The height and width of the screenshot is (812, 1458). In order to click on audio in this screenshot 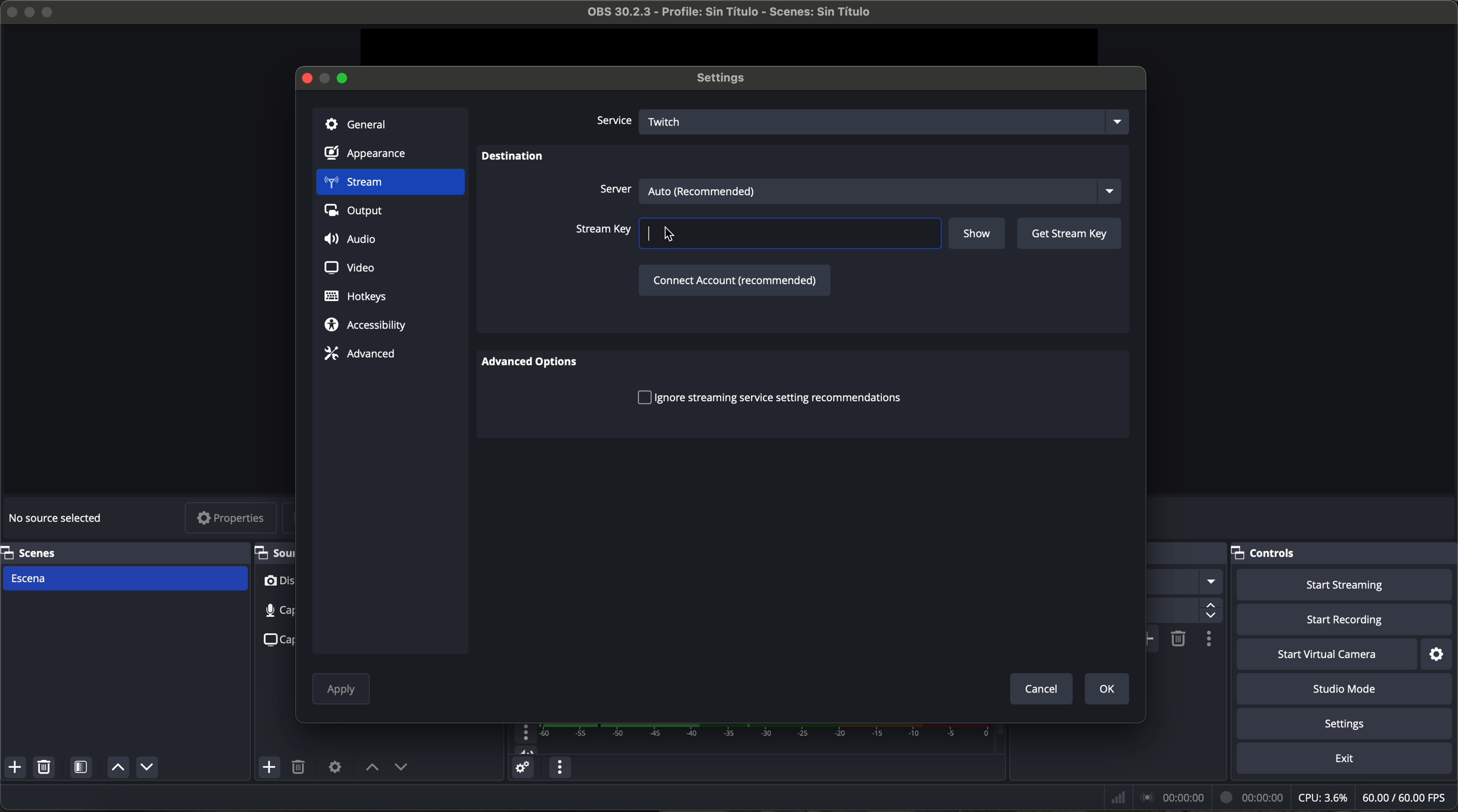, I will do `click(353, 240)`.